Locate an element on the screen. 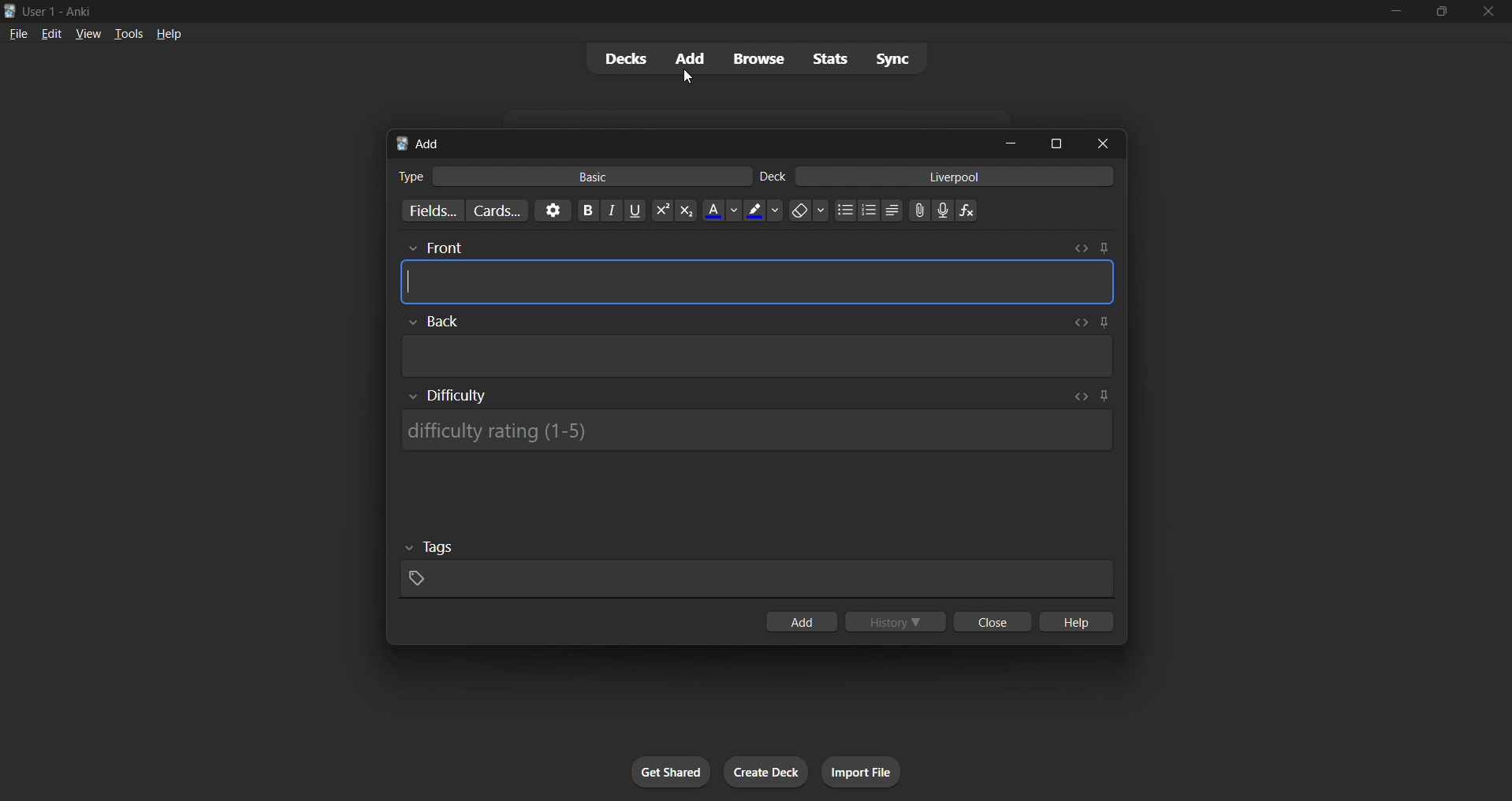  get shared is located at coordinates (672, 773).